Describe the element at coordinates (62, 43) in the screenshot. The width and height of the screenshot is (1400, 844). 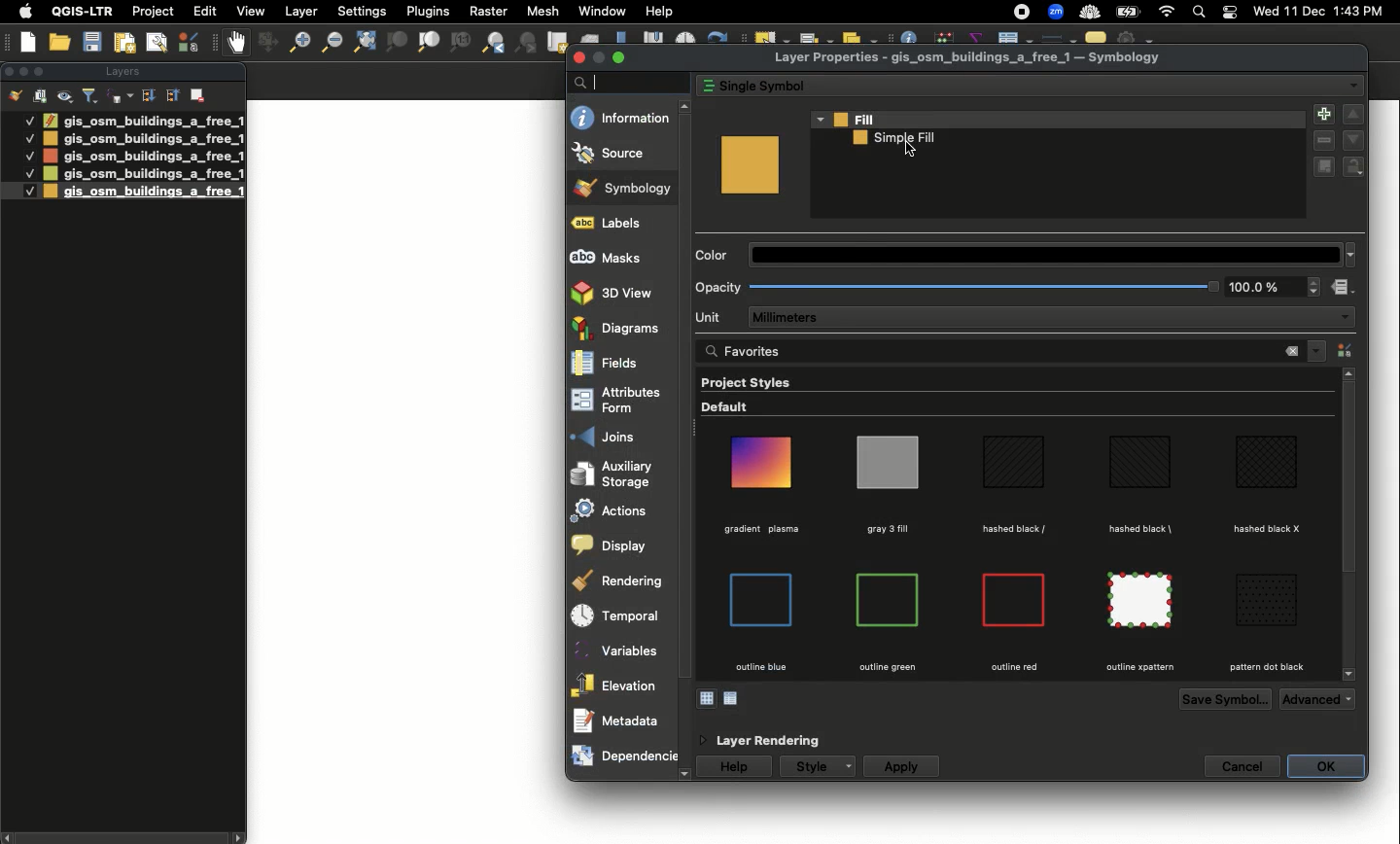
I see `Open` at that location.